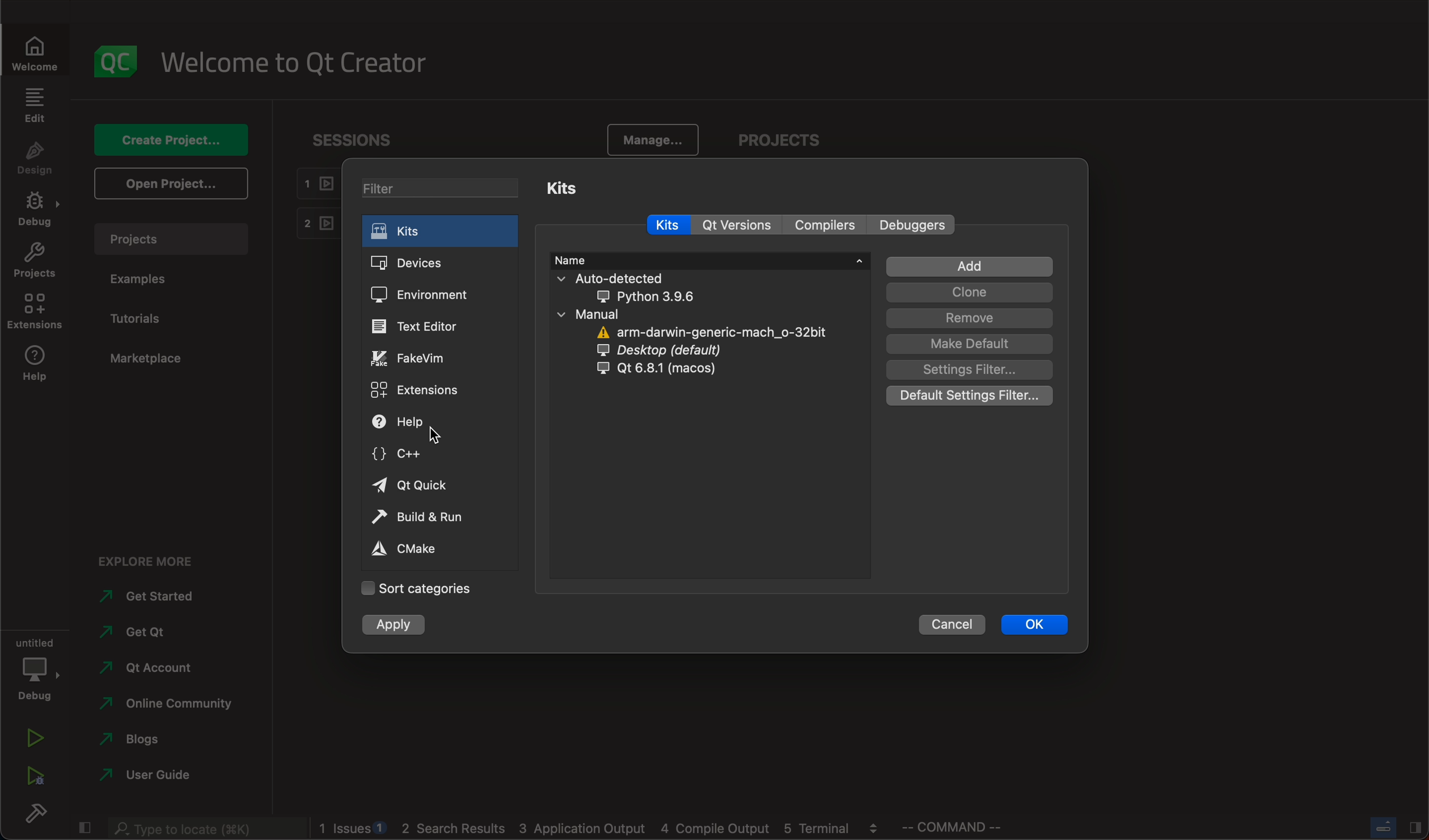  Describe the element at coordinates (150, 669) in the screenshot. I see `account` at that location.